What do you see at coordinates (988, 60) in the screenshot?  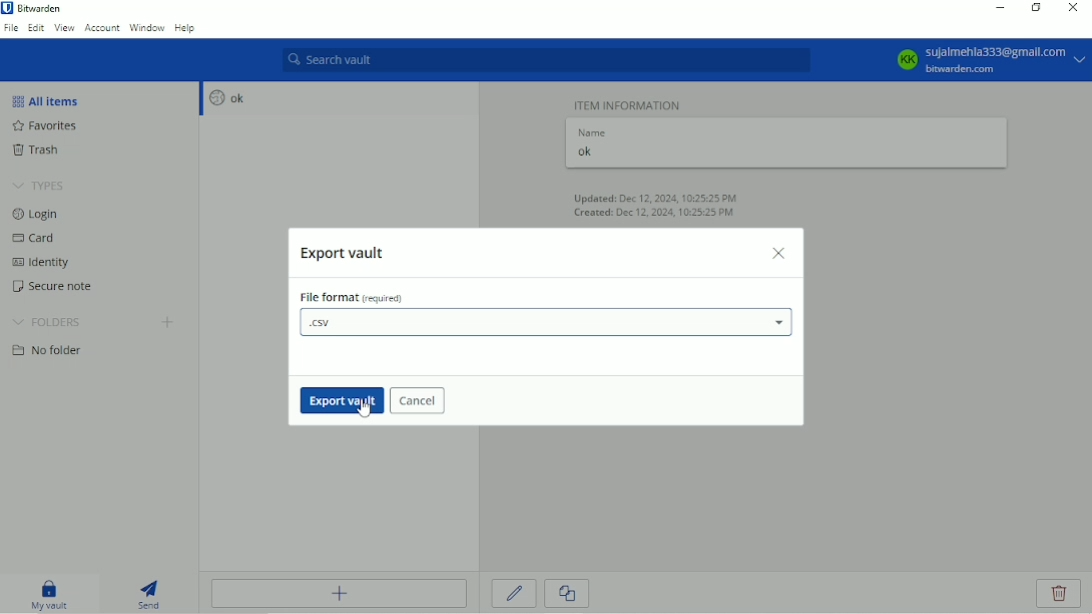 I see `KK sujalmehla333@gmail.com       bitwarden.com` at bounding box center [988, 60].